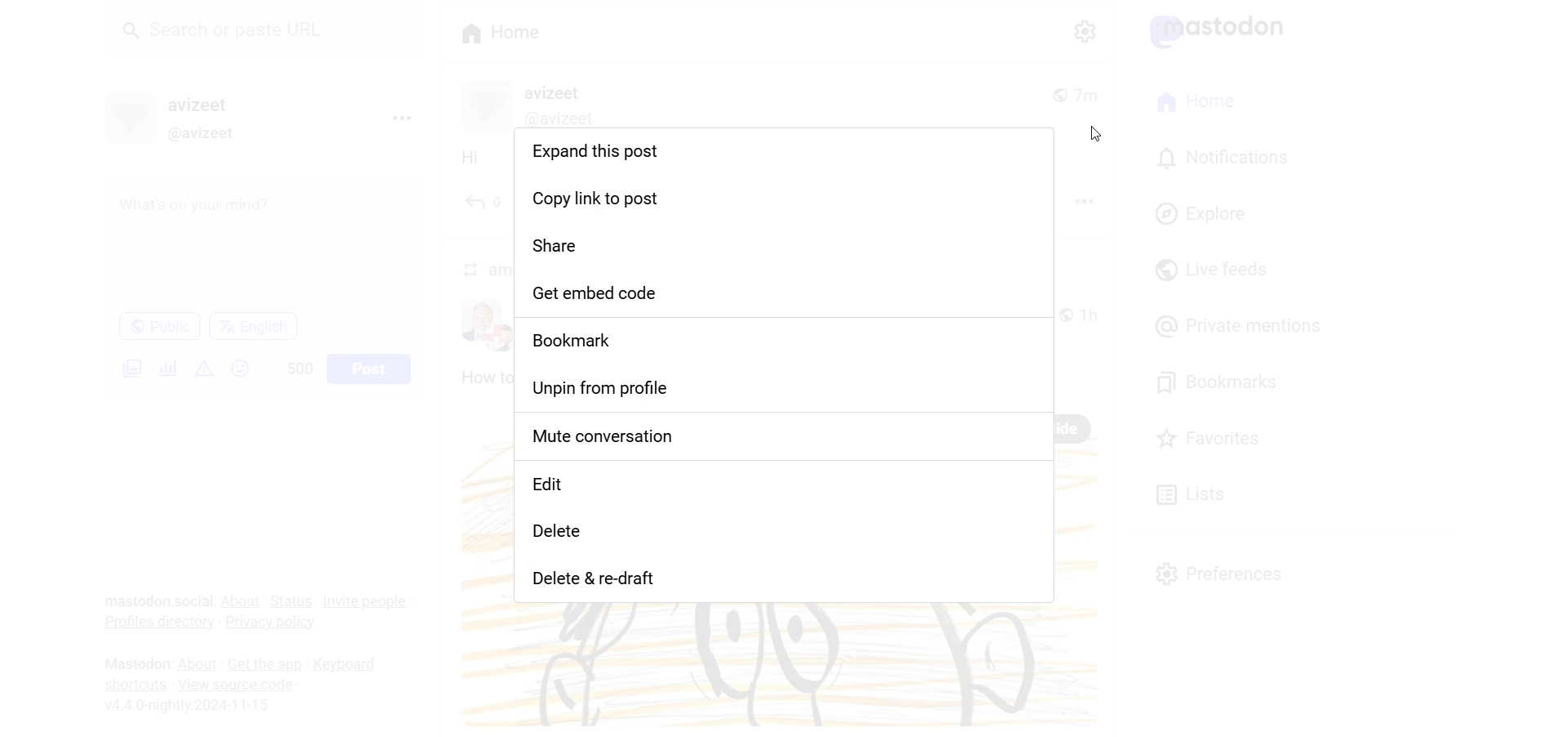  Describe the element at coordinates (501, 31) in the screenshot. I see `Home` at that location.